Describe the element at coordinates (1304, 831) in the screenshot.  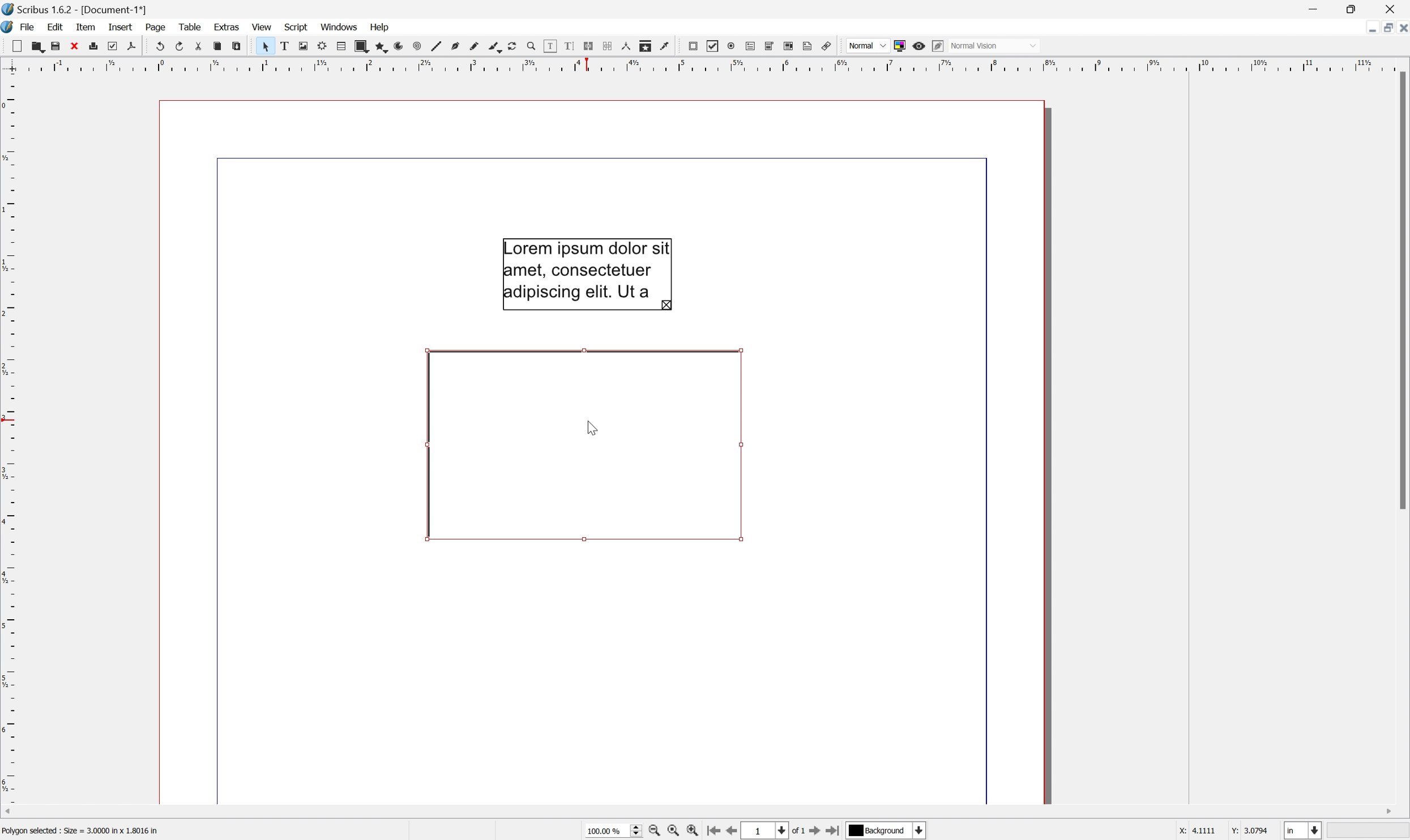
I see `Select the current unit` at that location.